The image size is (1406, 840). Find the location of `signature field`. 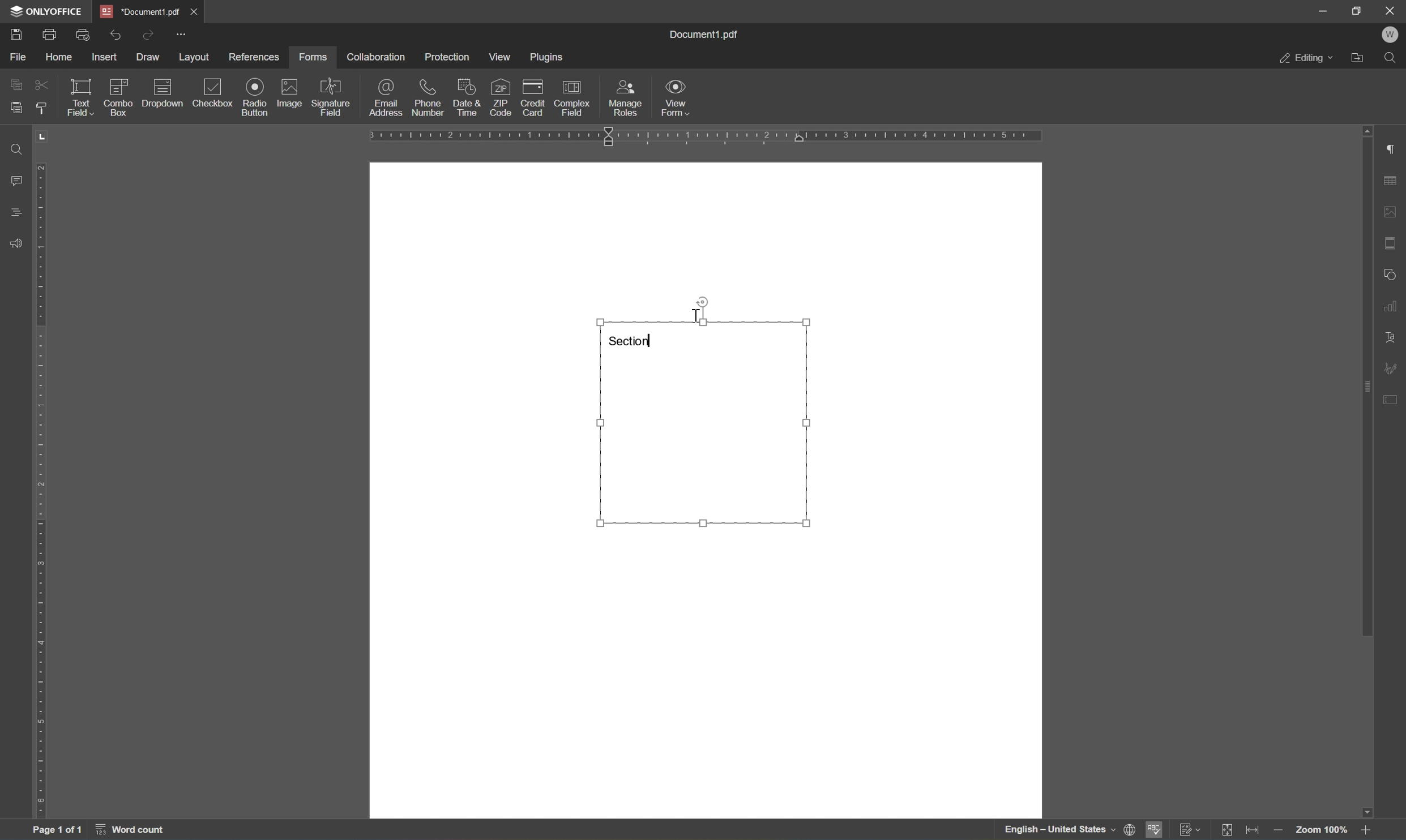

signature field is located at coordinates (331, 98).